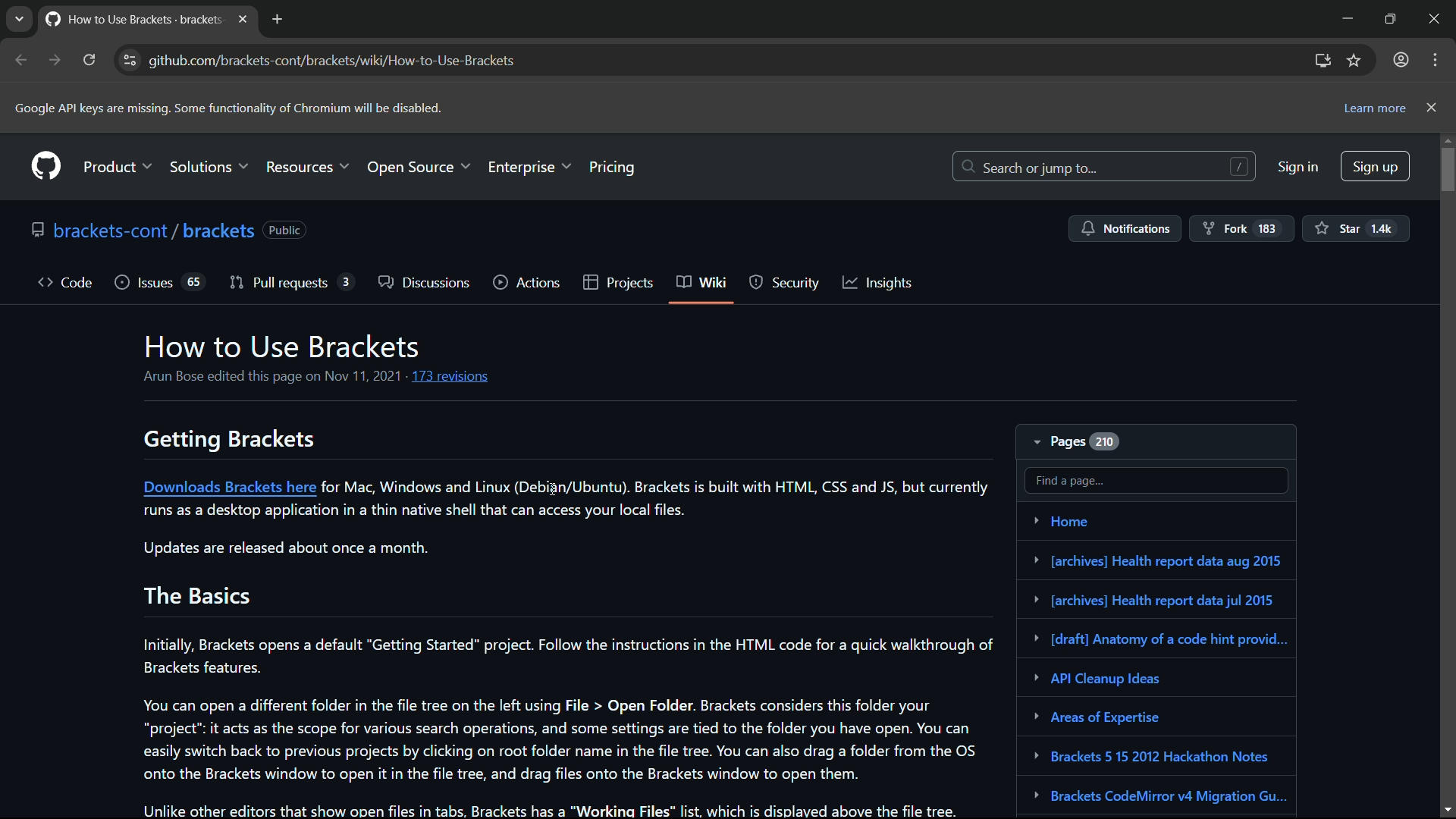  Describe the element at coordinates (1399, 61) in the screenshot. I see `profile` at that location.